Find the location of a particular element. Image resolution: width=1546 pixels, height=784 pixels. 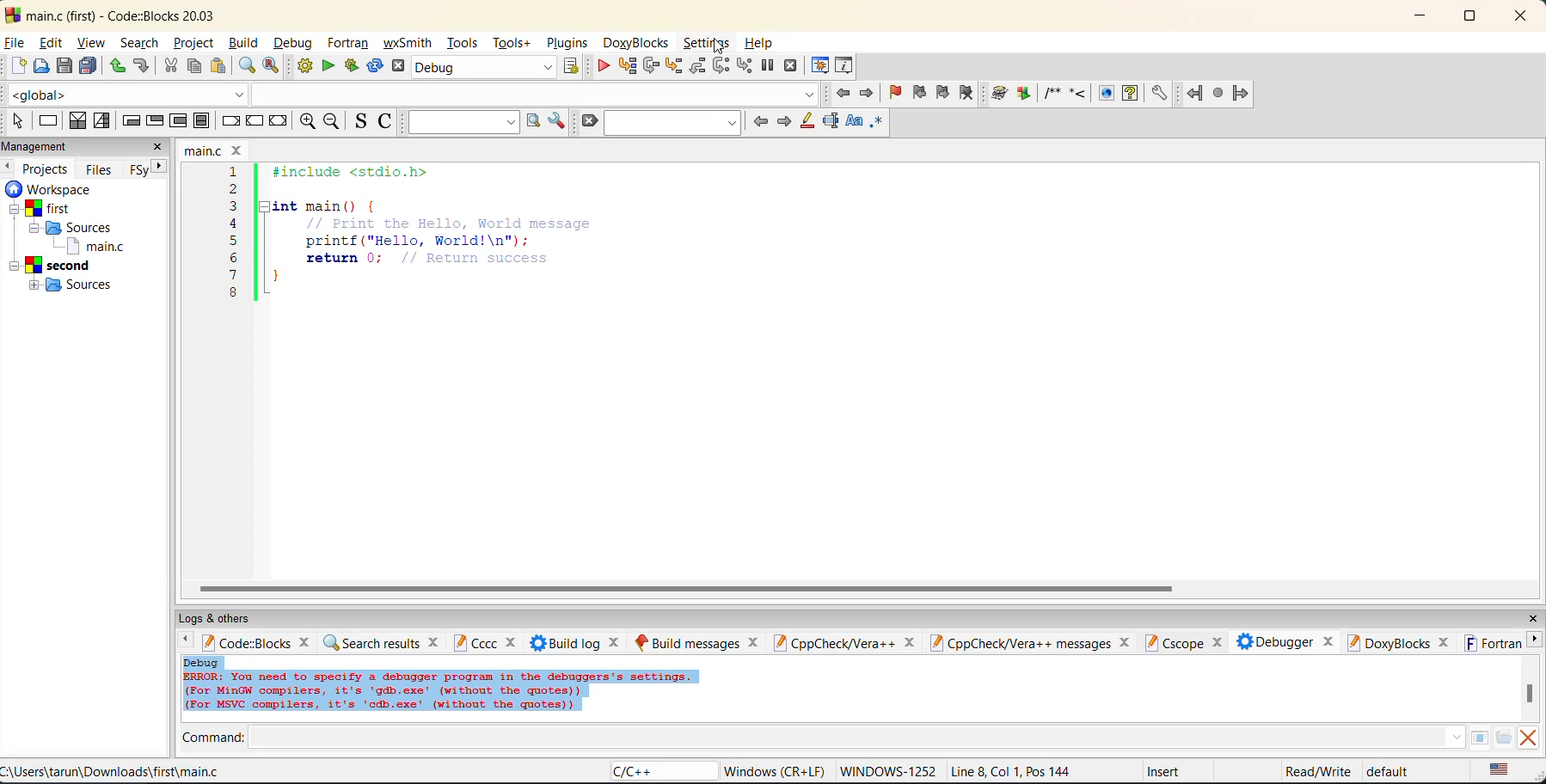

return is located at coordinates (281, 120).